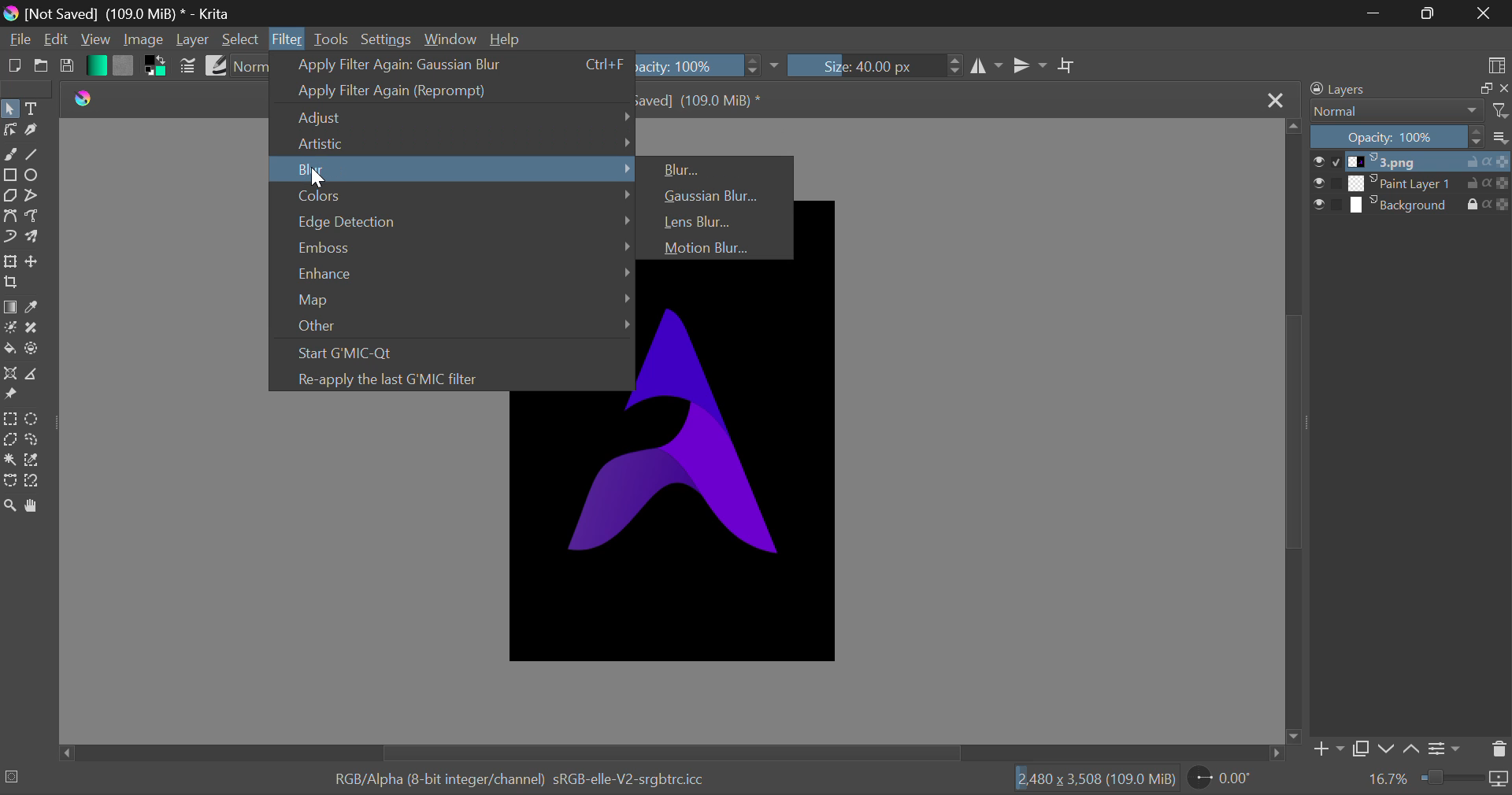  What do you see at coordinates (1411, 205) in the screenshot?
I see `Background` at bounding box center [1411, 205].